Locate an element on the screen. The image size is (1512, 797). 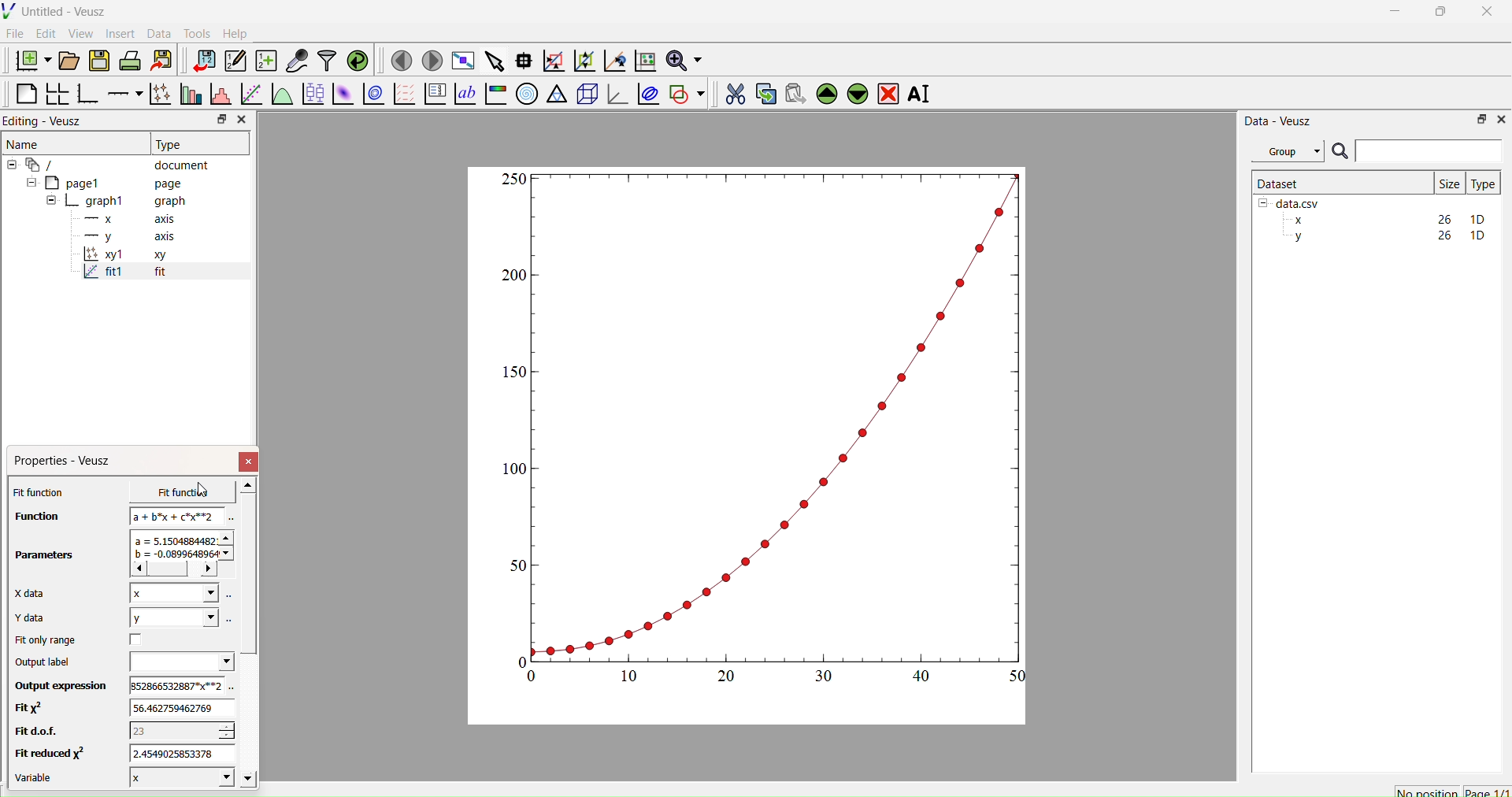
Capture remote data is located at coordinates (297, 61).